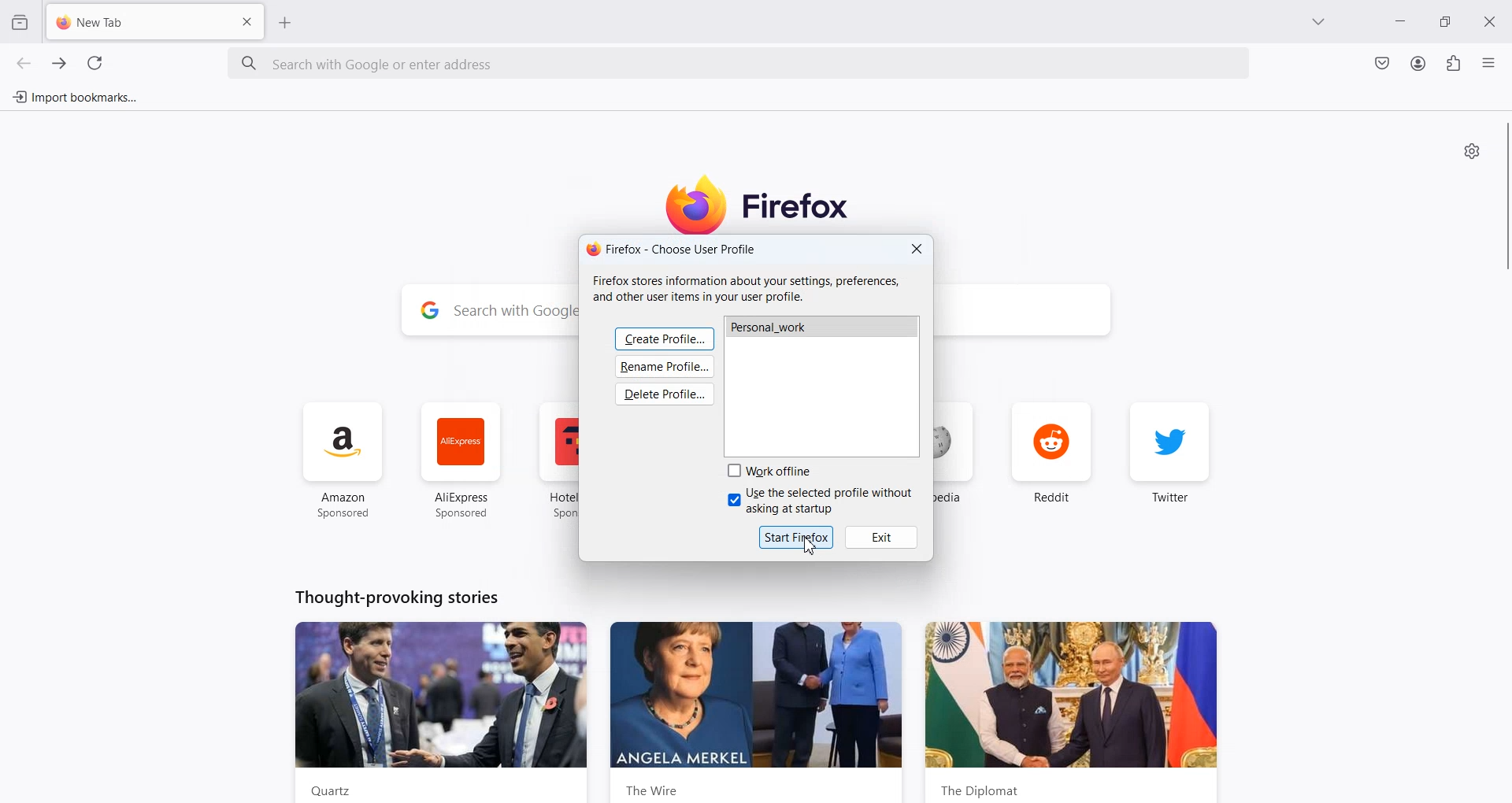 Image resolution: width=1512 pixels, height=803 pixels. I want to click on Go back one page, so click(24, 63).